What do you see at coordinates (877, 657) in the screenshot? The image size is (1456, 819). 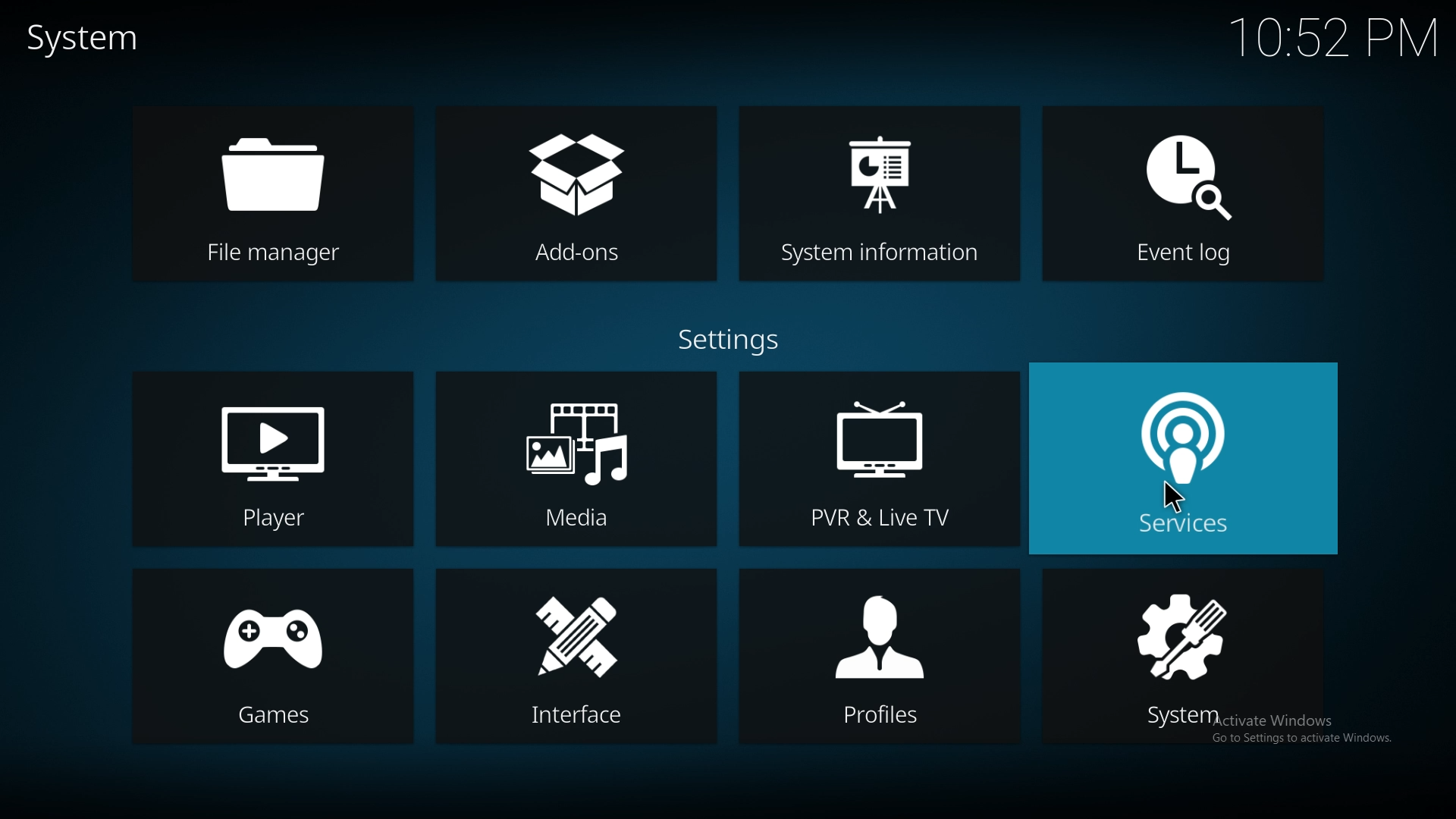 I see `profiles` at bounding box center [877, 657].